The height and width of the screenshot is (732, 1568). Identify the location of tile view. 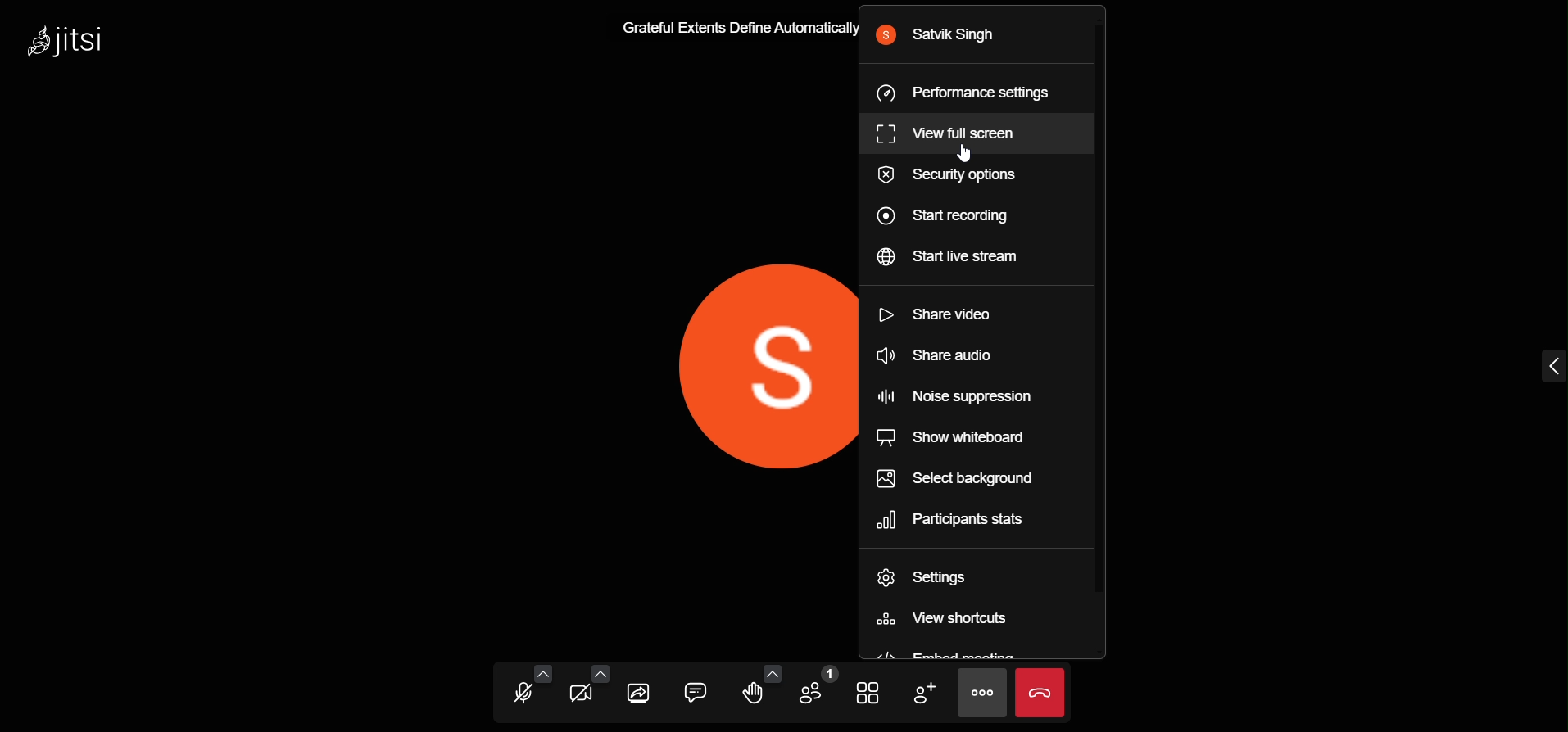
(869, 692).